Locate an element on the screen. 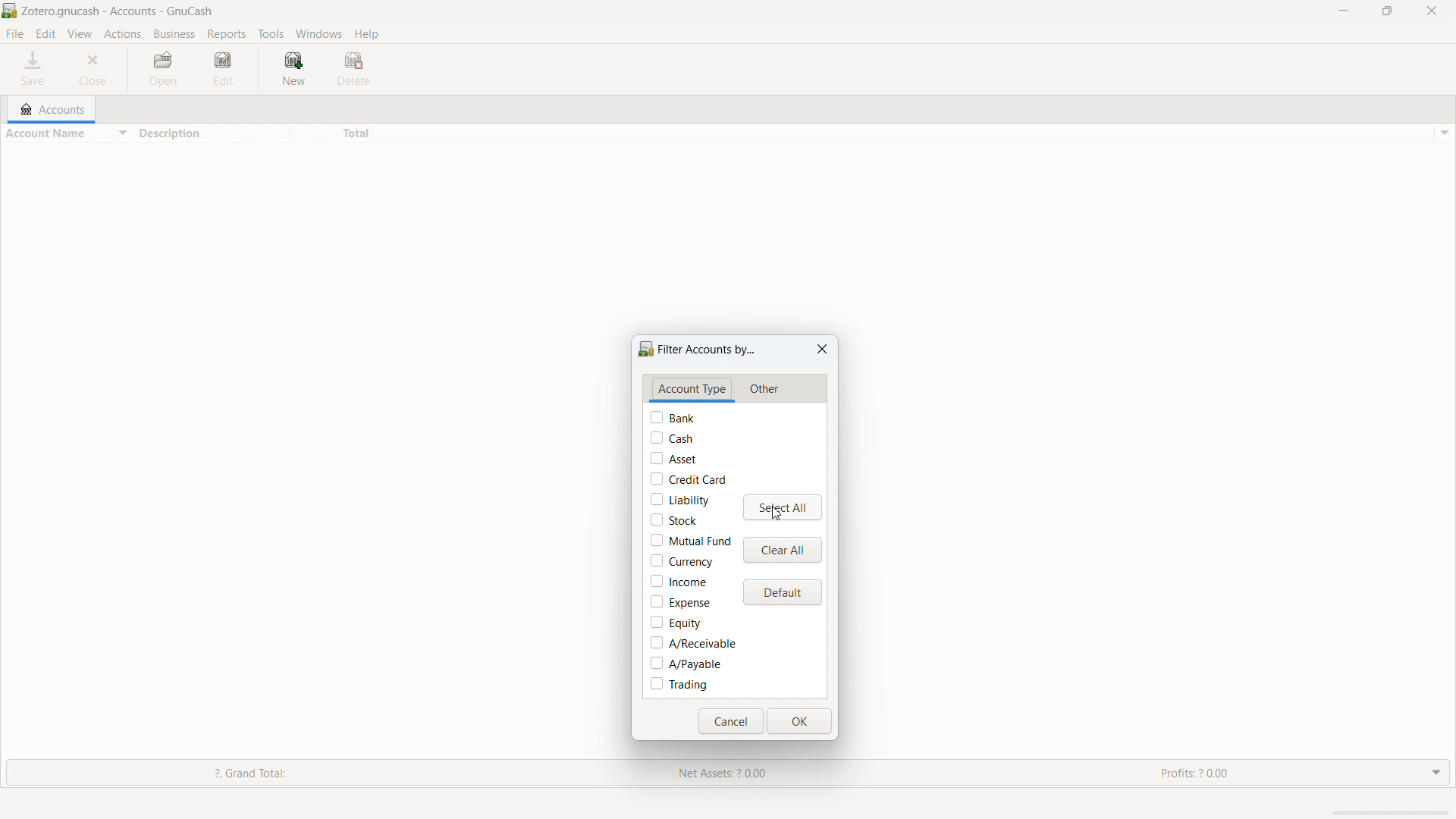  cash is located at coordinates (671, 438).